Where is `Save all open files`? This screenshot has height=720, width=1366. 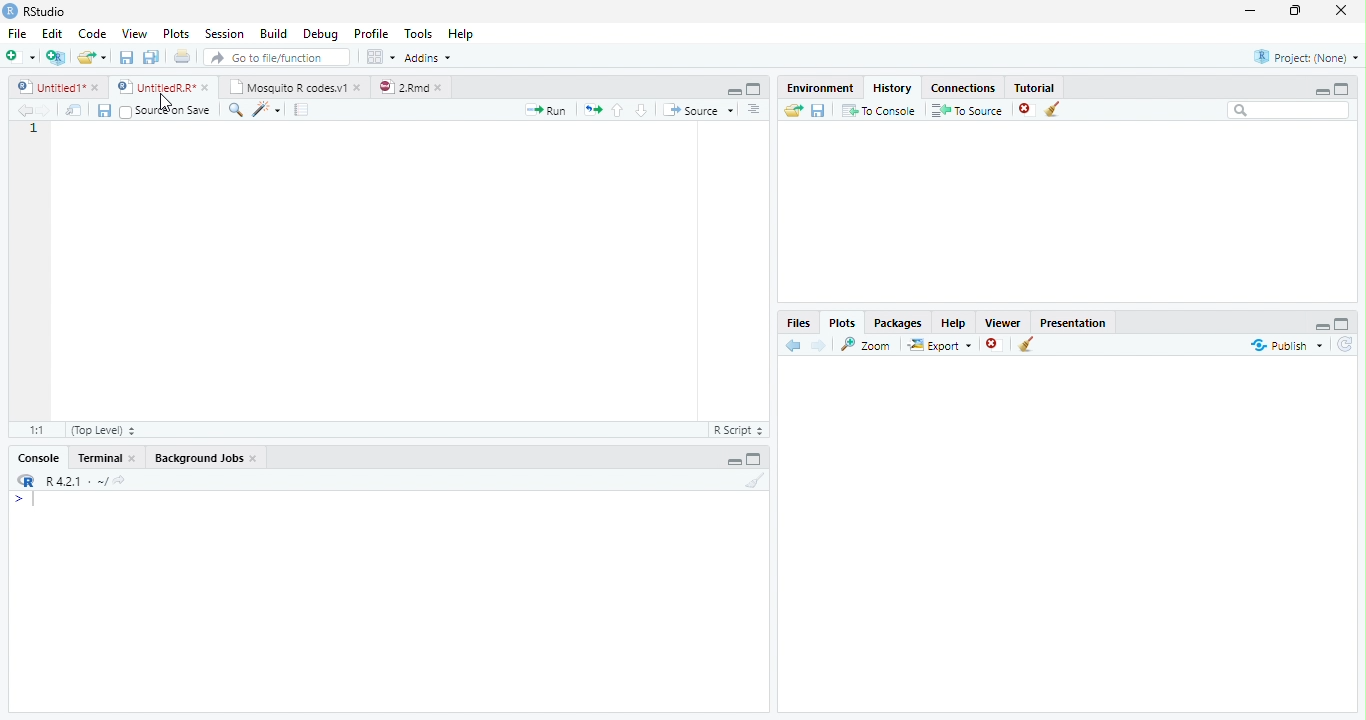
Save all open files is located at coordinates (151, 57).